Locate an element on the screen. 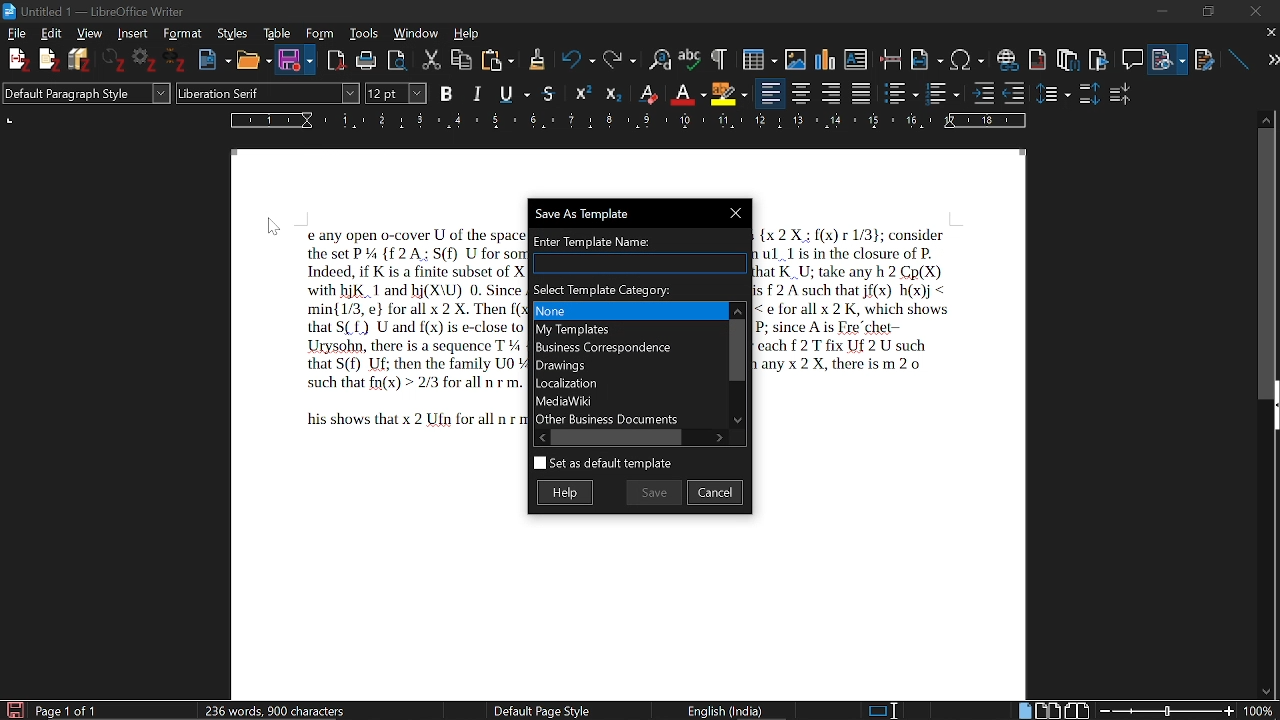 Image resolution: width=1280 pixels, height=720 pixels. Undo is located at coordinates (572, 59).